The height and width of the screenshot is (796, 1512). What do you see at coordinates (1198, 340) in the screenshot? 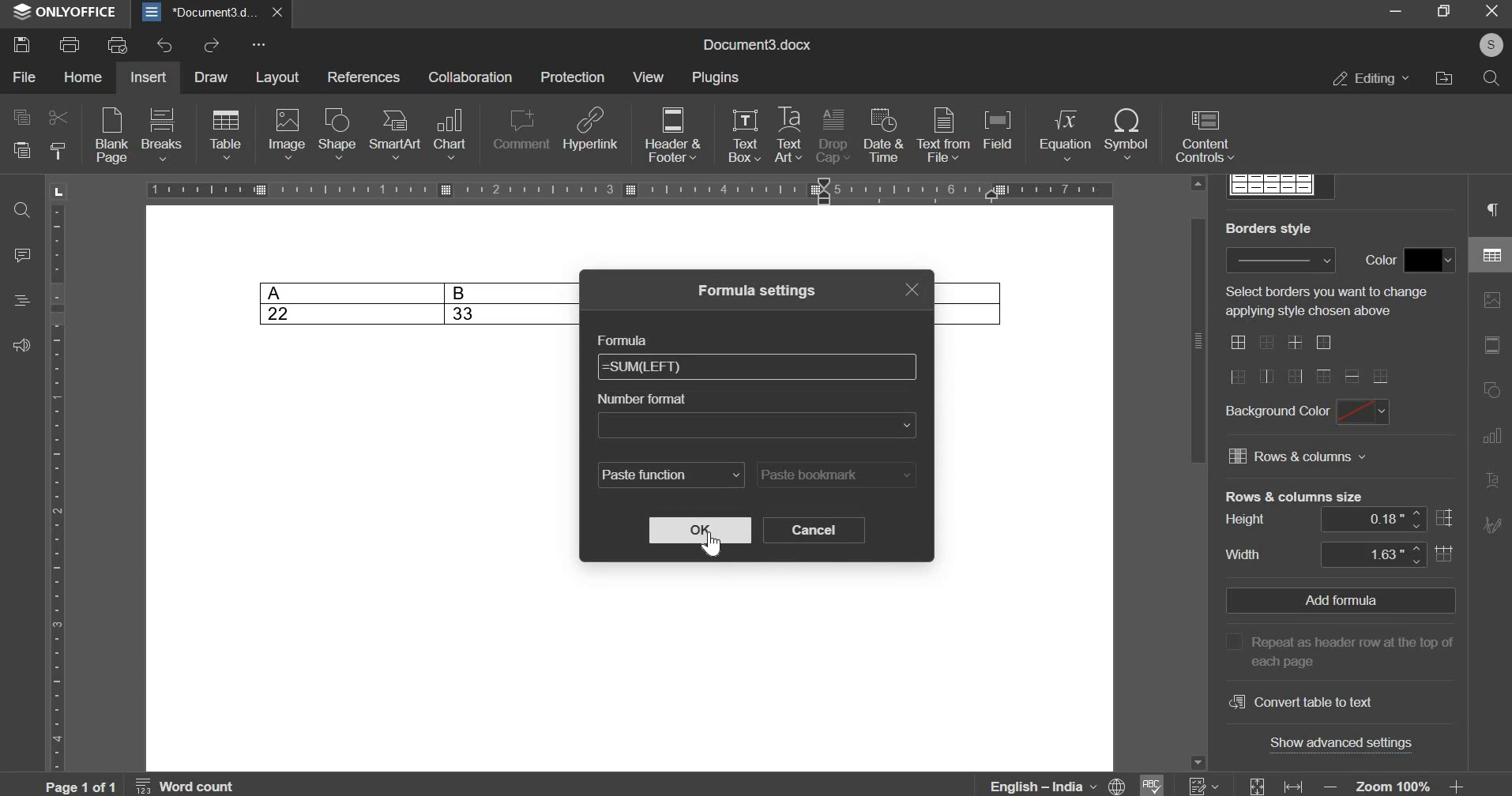
I see `scroll bar` at bounding box center [1198, 340].